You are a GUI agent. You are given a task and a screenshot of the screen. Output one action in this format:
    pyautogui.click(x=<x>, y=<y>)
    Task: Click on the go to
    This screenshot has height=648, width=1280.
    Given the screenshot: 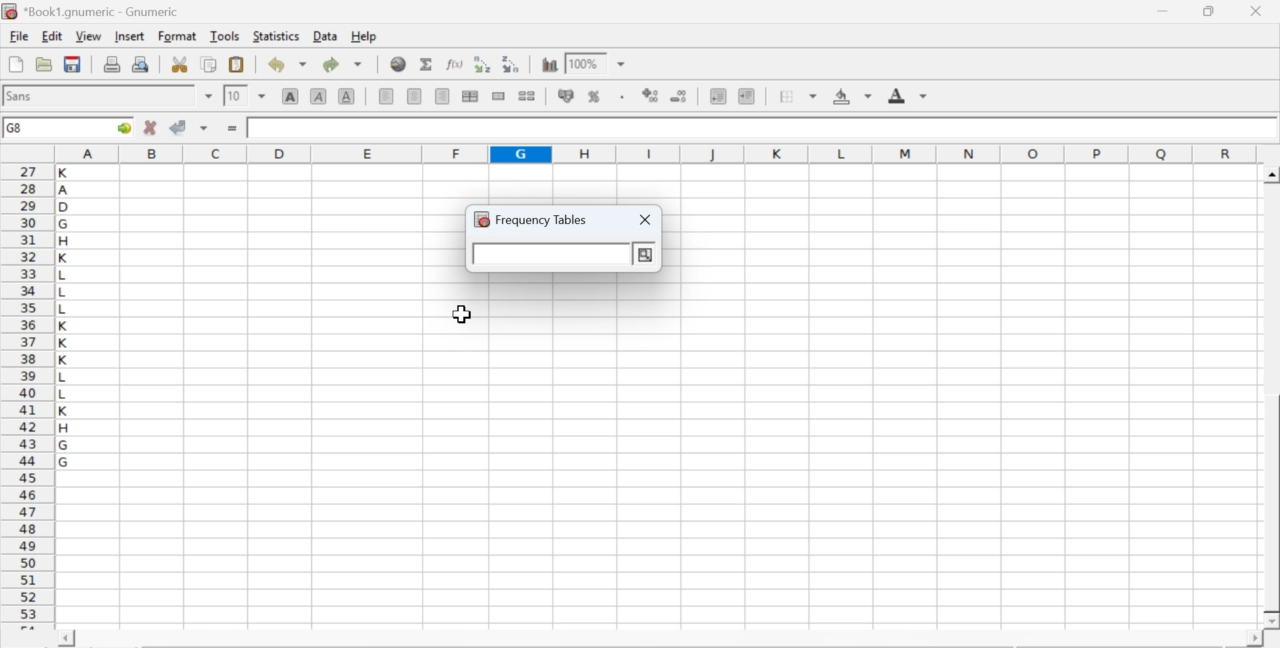 What is the action you would take?
    pyautogui.click(x=122, y=127)
    